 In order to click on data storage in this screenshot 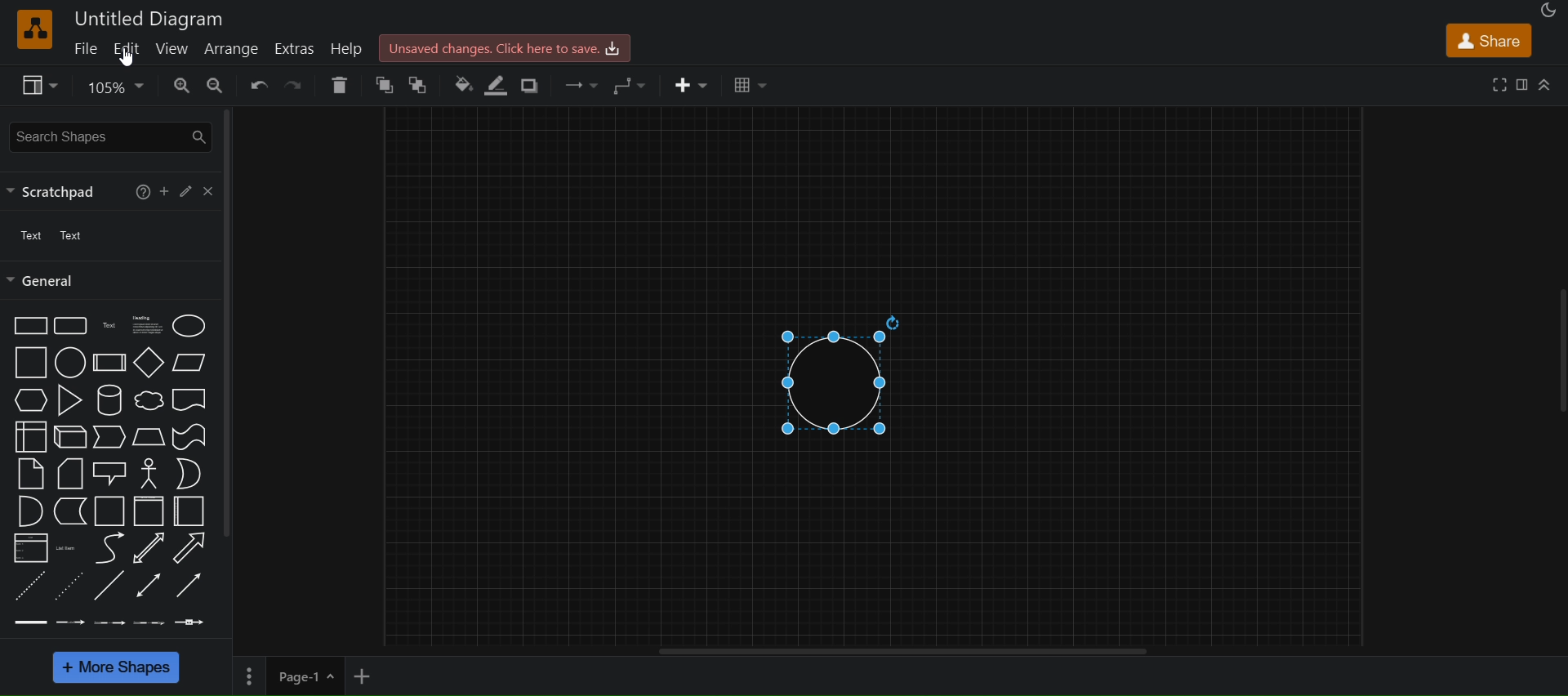, I will do `click(67, 511)`.